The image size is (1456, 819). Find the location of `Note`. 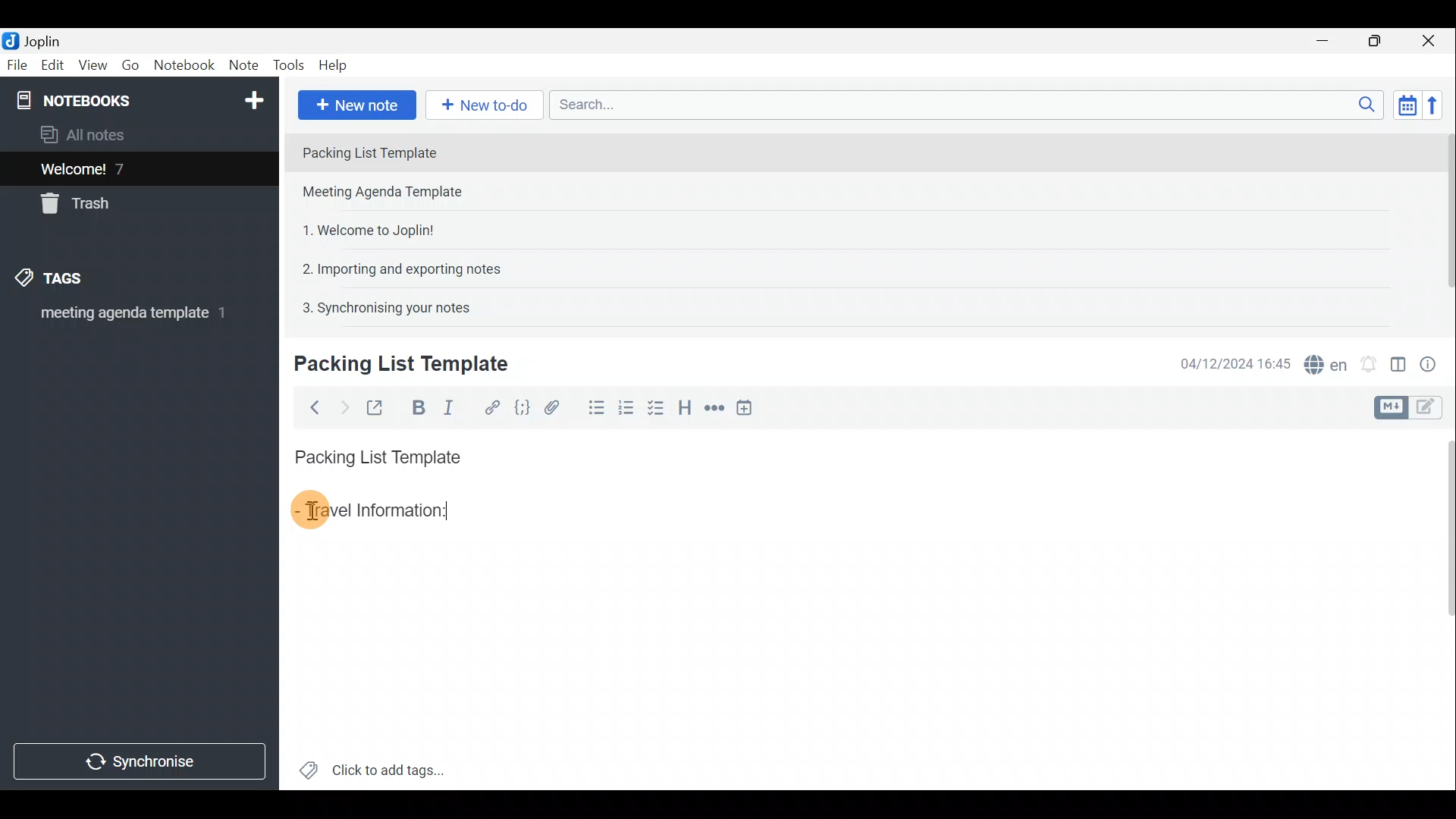

Note is located at coordinates (243, 66).